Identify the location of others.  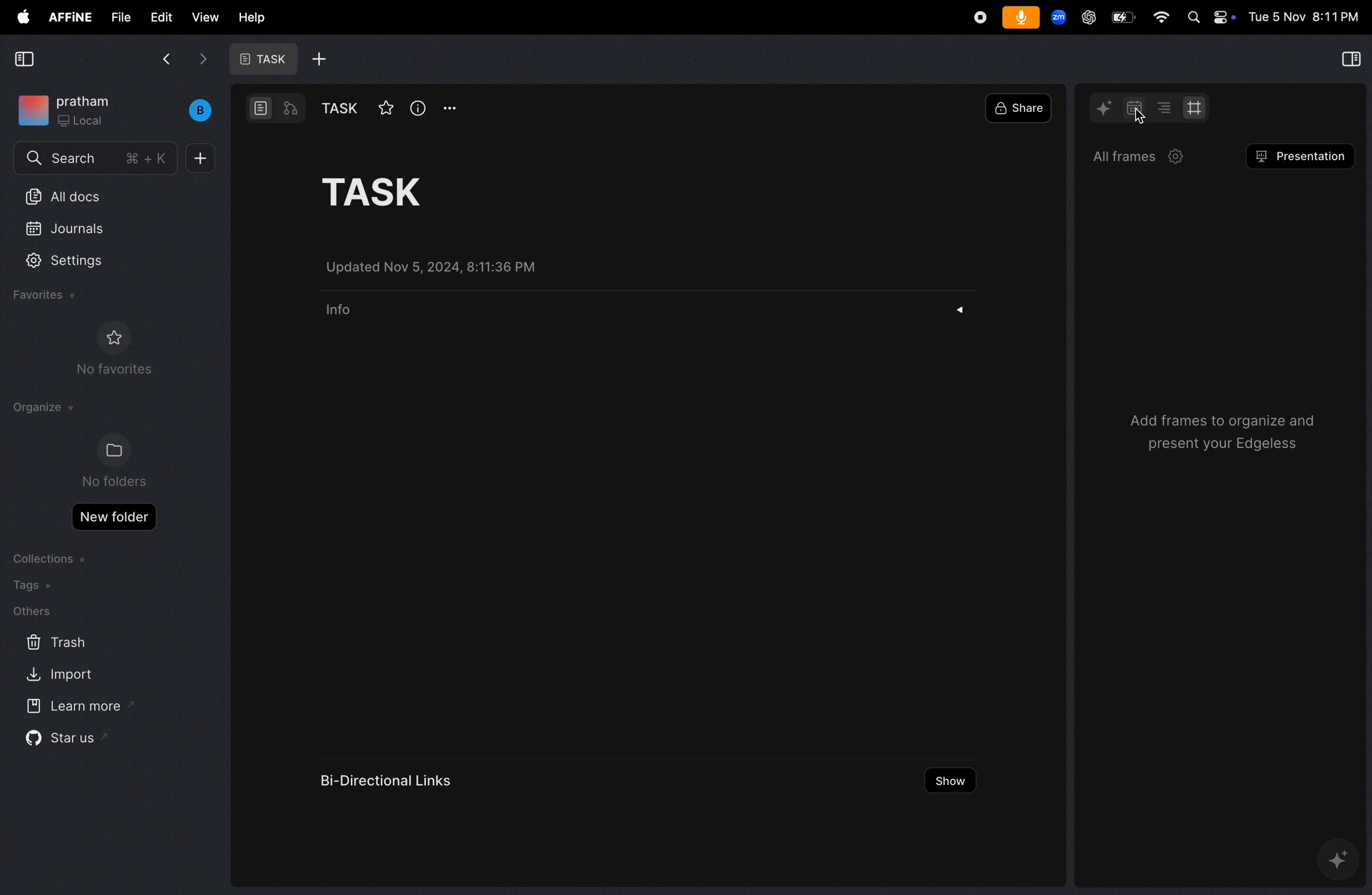
(31, 612).